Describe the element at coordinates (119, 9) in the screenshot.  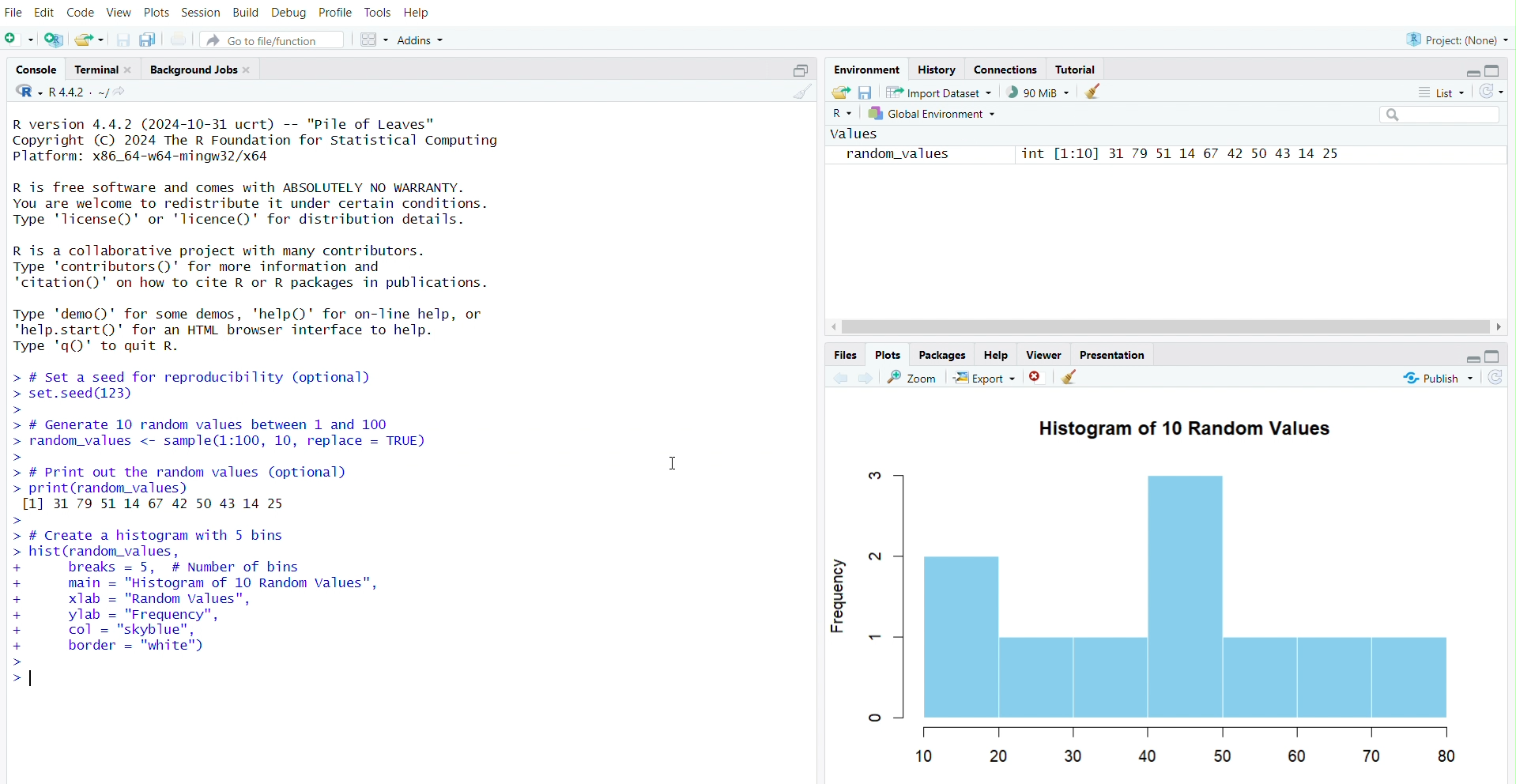
I see `view` at that location.